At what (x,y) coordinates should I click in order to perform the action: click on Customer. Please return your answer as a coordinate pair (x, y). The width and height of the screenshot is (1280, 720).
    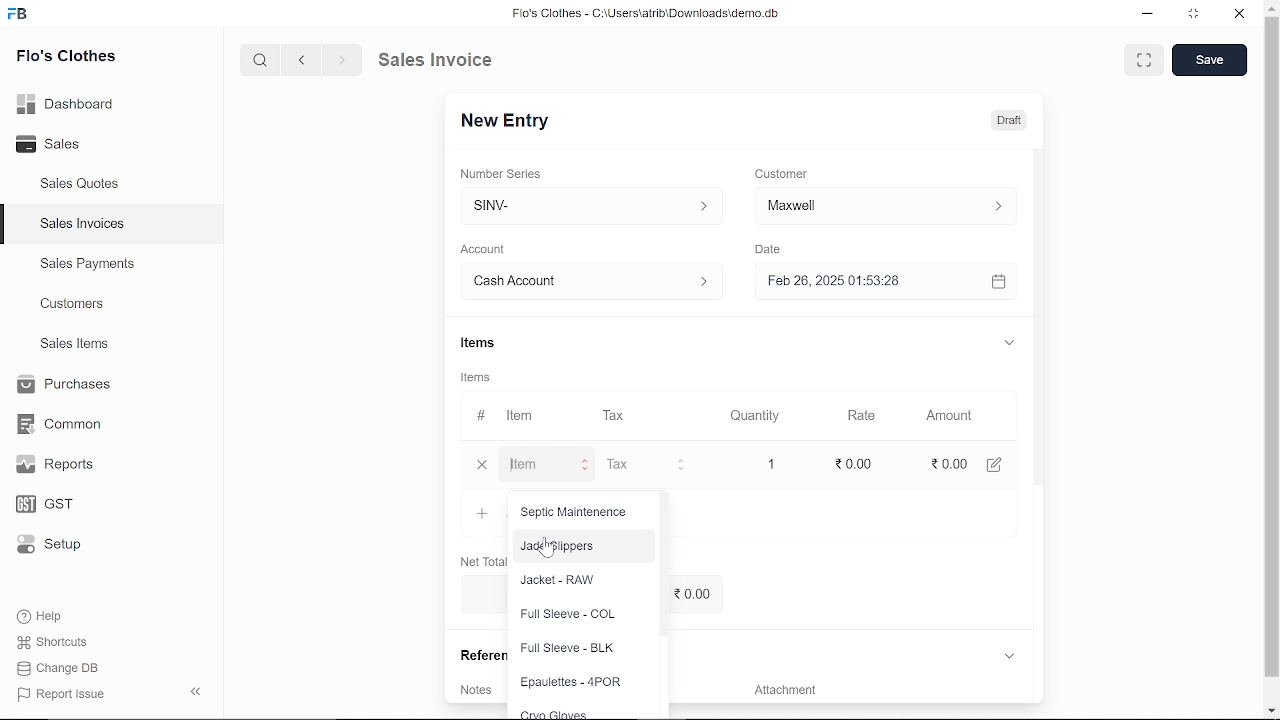
    Looking at the image, I should click on (792, 173).